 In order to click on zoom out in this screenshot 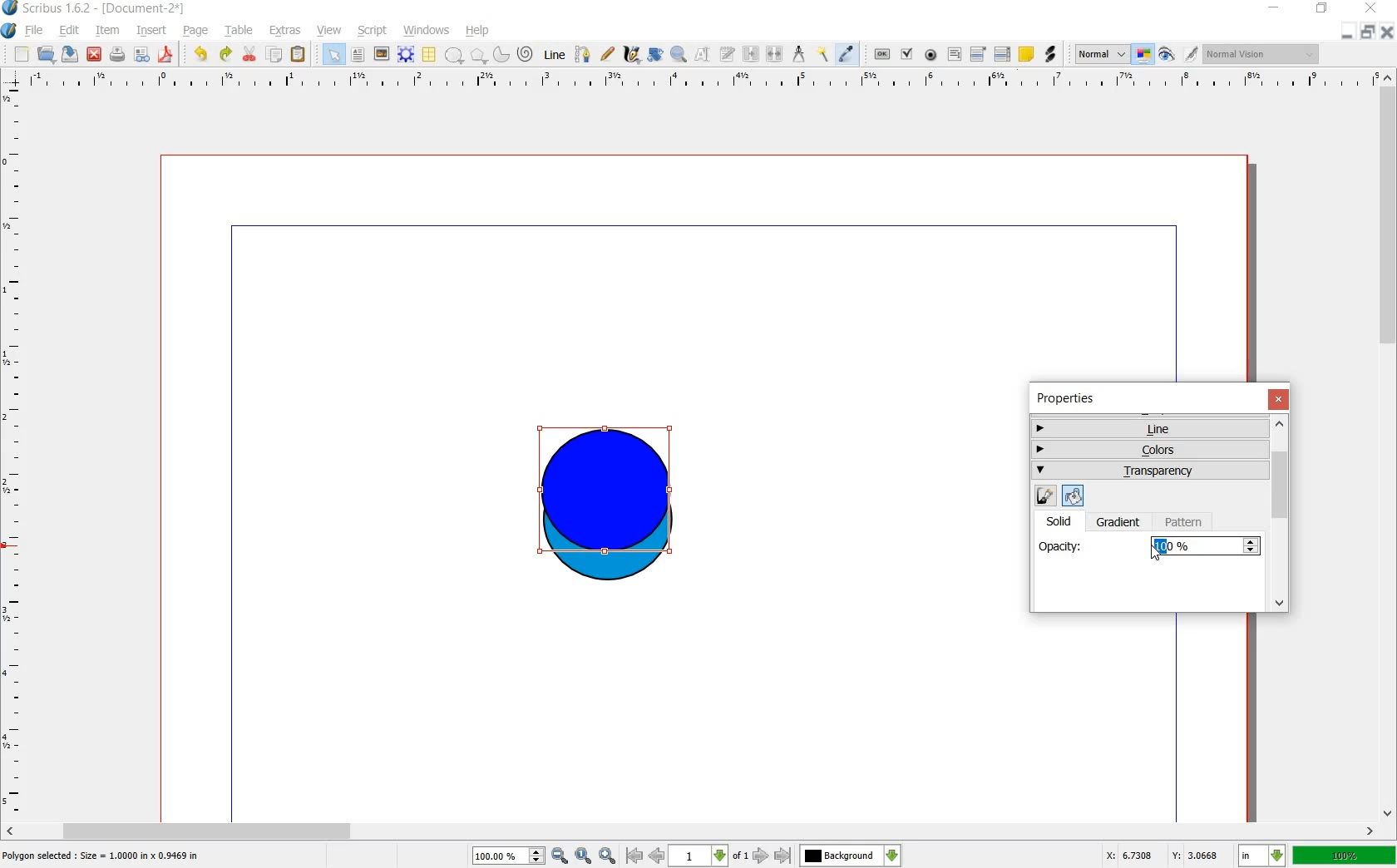, I will do `click(560, 856)`.